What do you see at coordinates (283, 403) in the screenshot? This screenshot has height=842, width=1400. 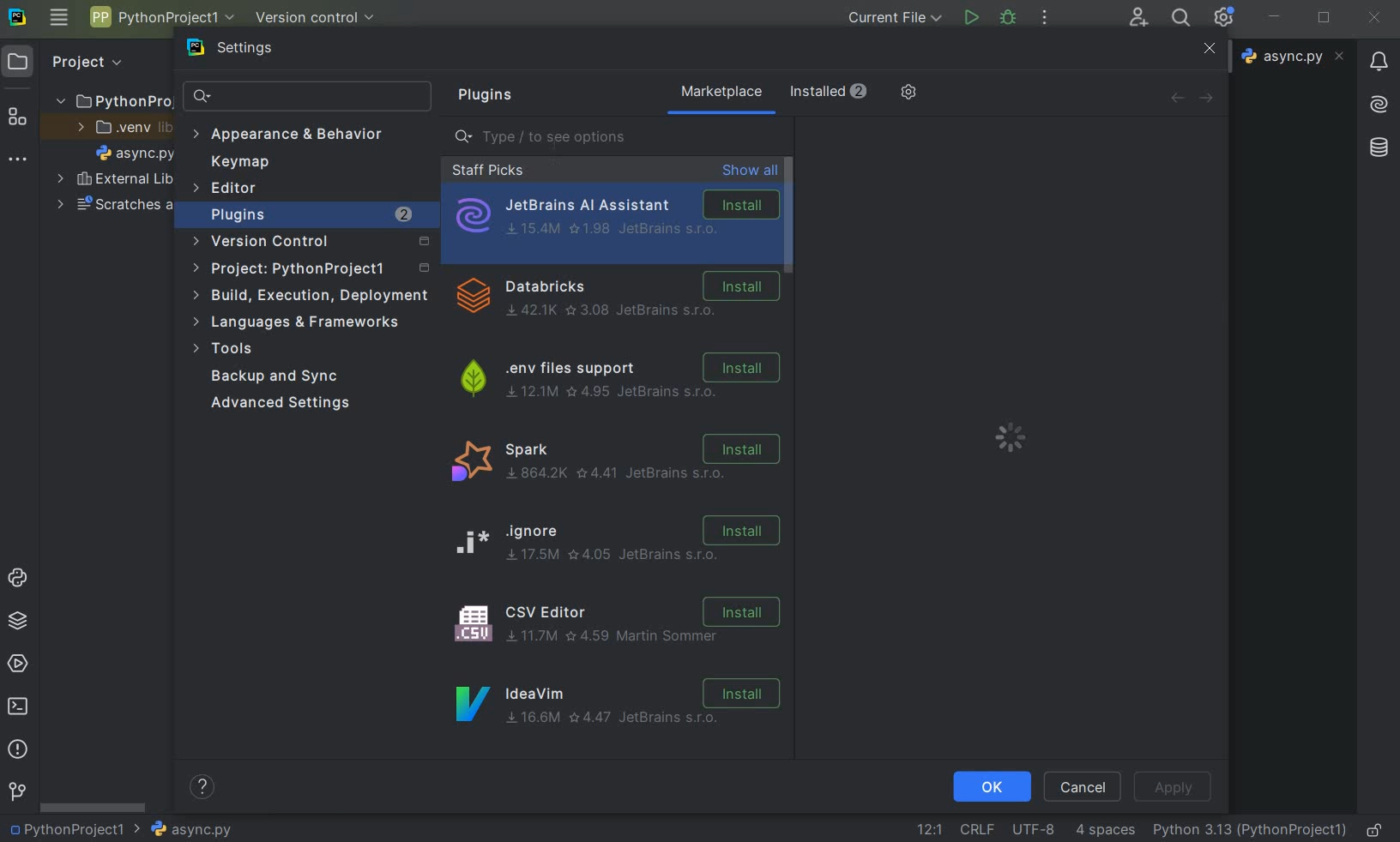 I see `advanced settings` at bounding box center [283, 403].